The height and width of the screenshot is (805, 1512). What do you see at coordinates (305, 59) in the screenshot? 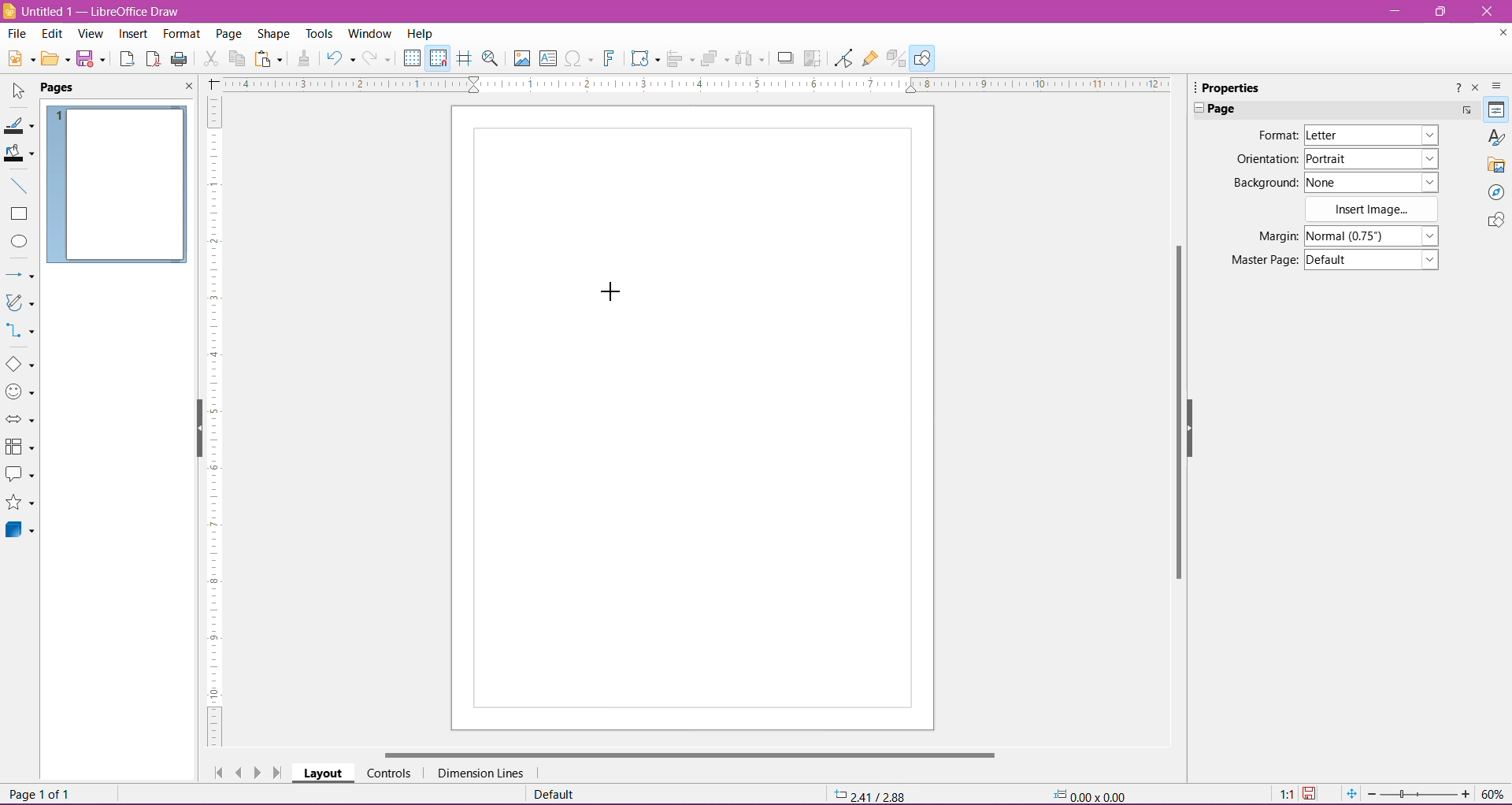
I see `Clone Formatting` at bounding box center [305, 59].